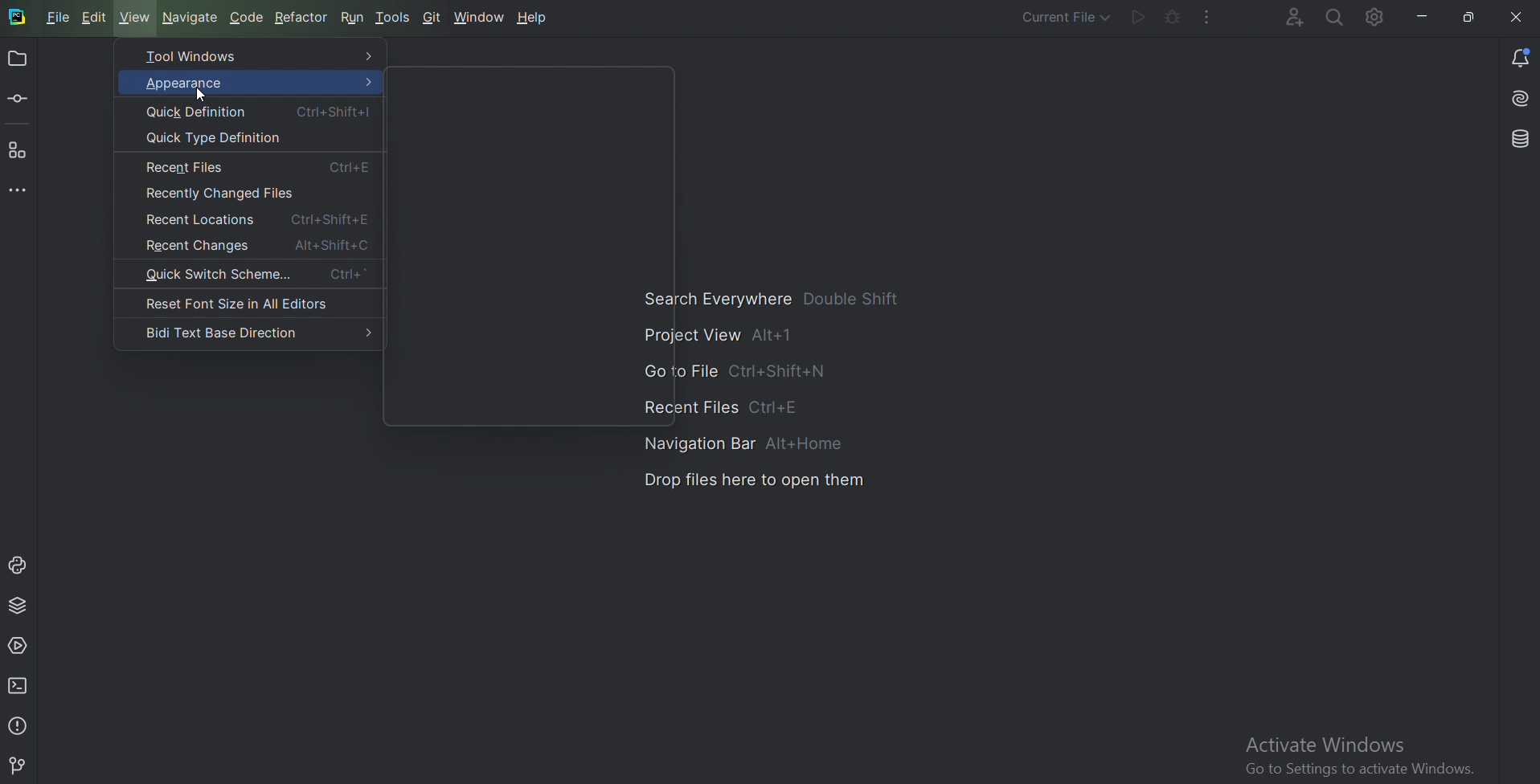  What do you see at coordinates (190, 18) in the screenshot?
I see `Navigate` at bounding box center [190, 18].